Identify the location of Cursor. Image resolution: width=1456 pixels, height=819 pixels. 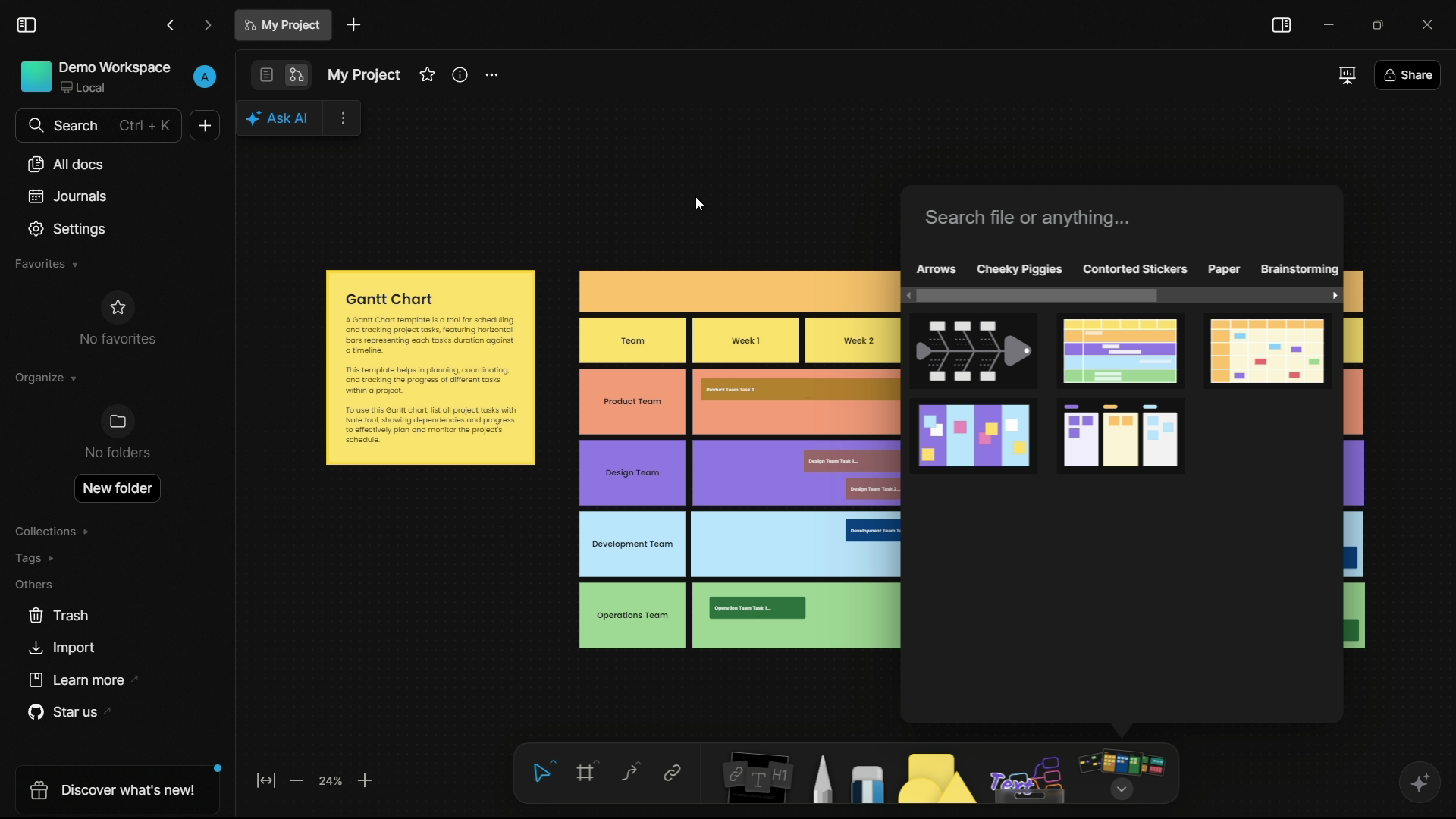
(706, 204).